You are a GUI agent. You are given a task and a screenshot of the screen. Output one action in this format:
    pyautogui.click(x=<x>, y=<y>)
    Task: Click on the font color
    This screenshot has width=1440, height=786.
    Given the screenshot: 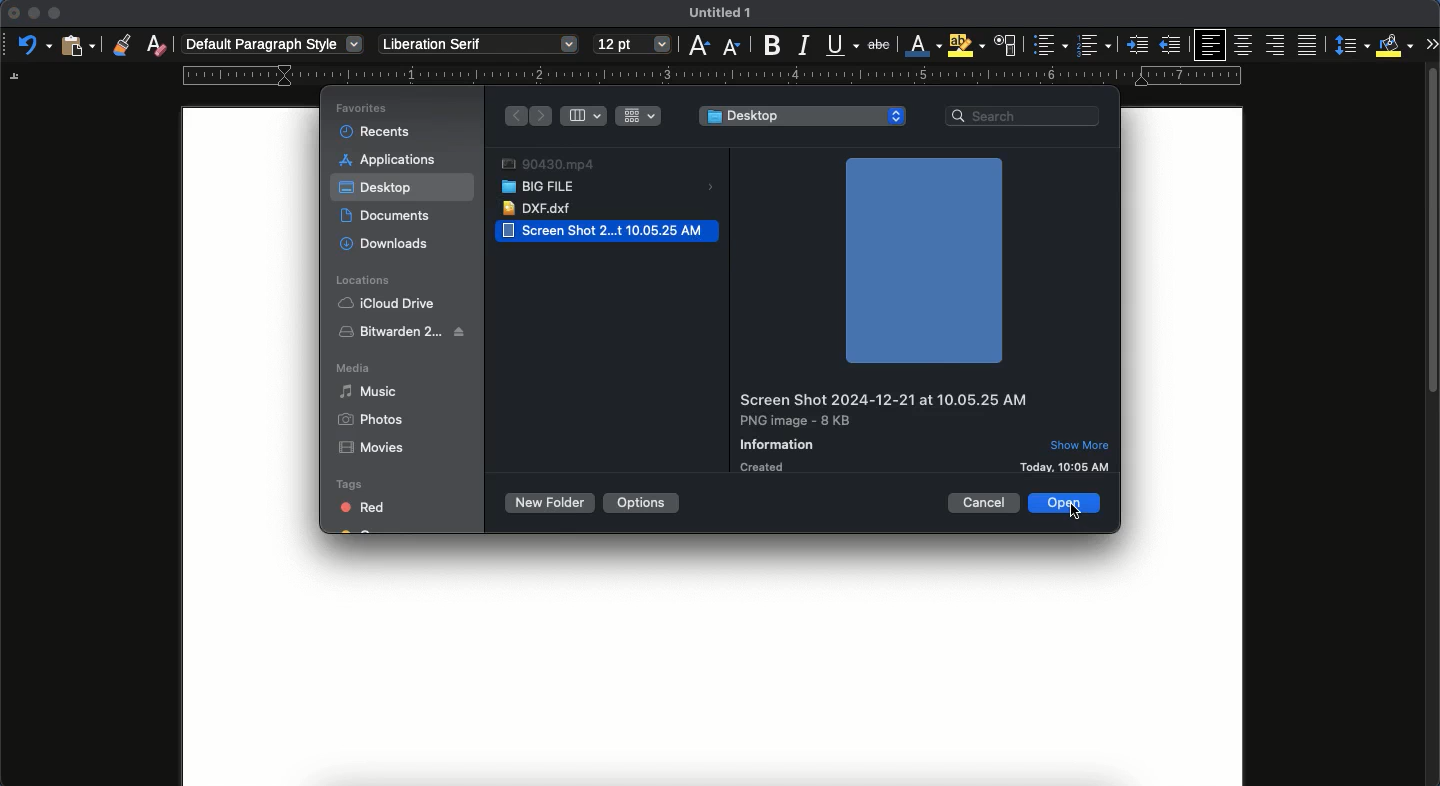 What is the action you would take?
    pyautogui.click(x=922, y=45)
    